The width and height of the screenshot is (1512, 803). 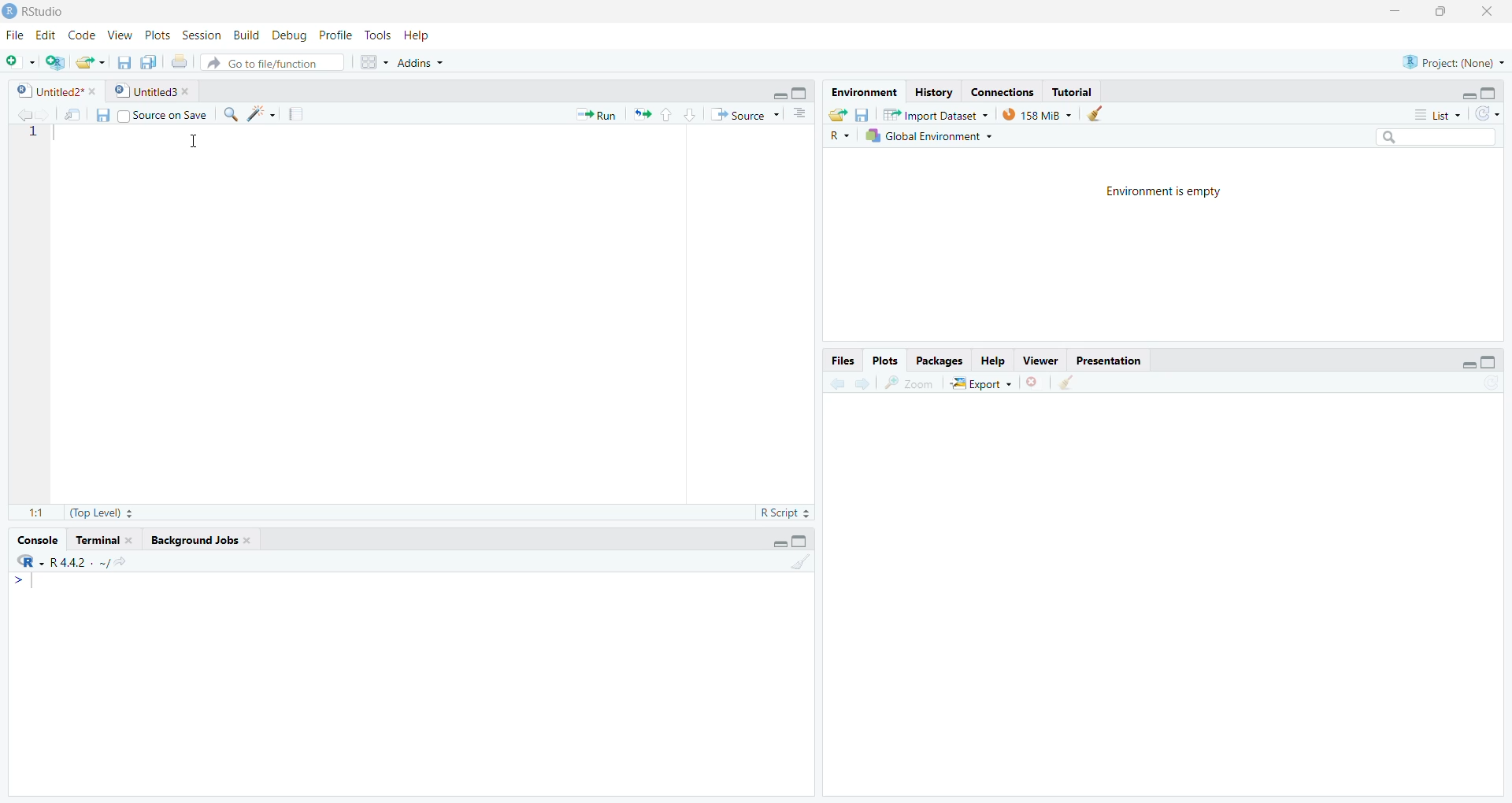 I want to click on Language, so click(x=19, y=561).